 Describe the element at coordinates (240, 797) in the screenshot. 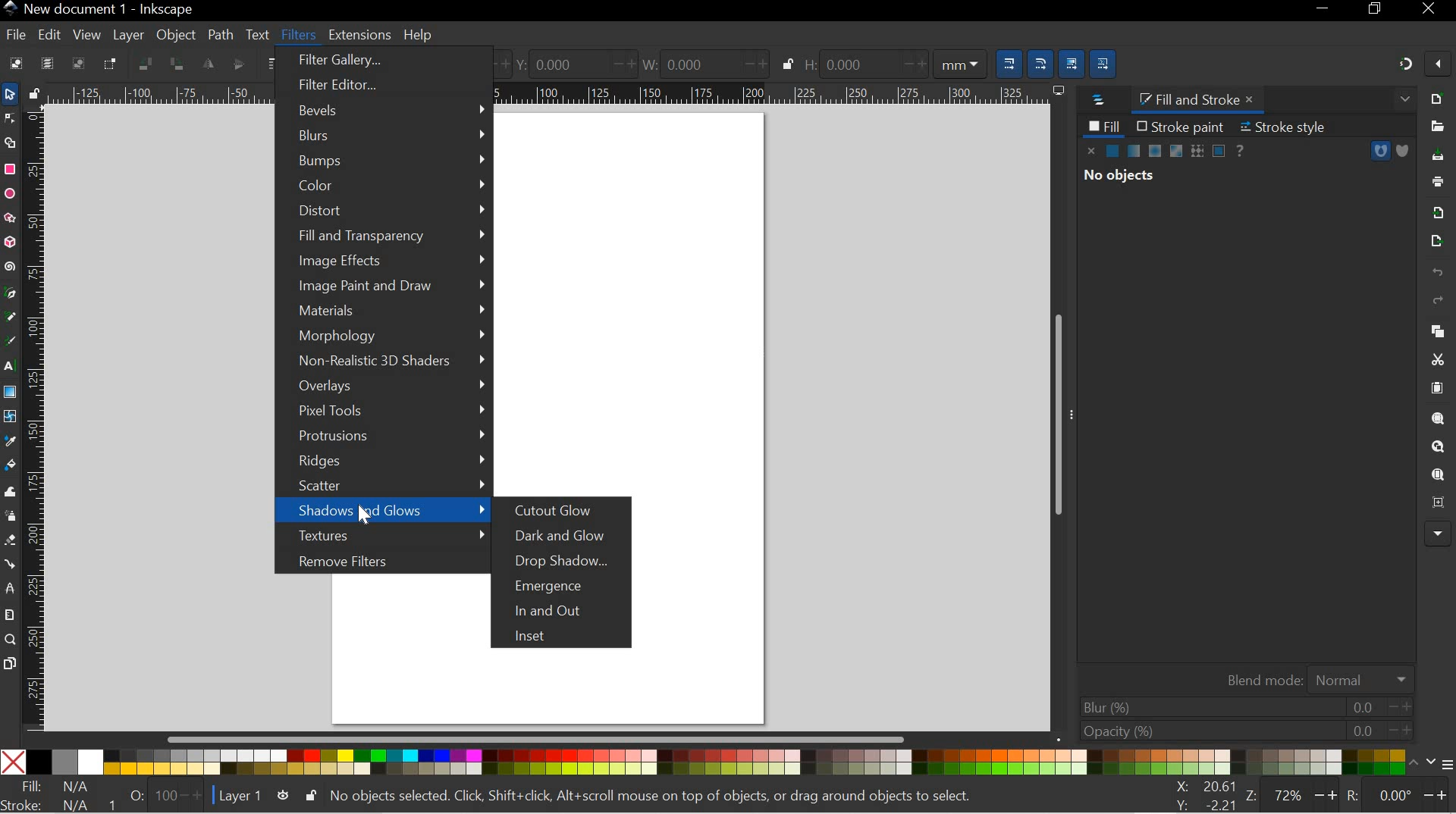

I see `LAYER 1` at that location.